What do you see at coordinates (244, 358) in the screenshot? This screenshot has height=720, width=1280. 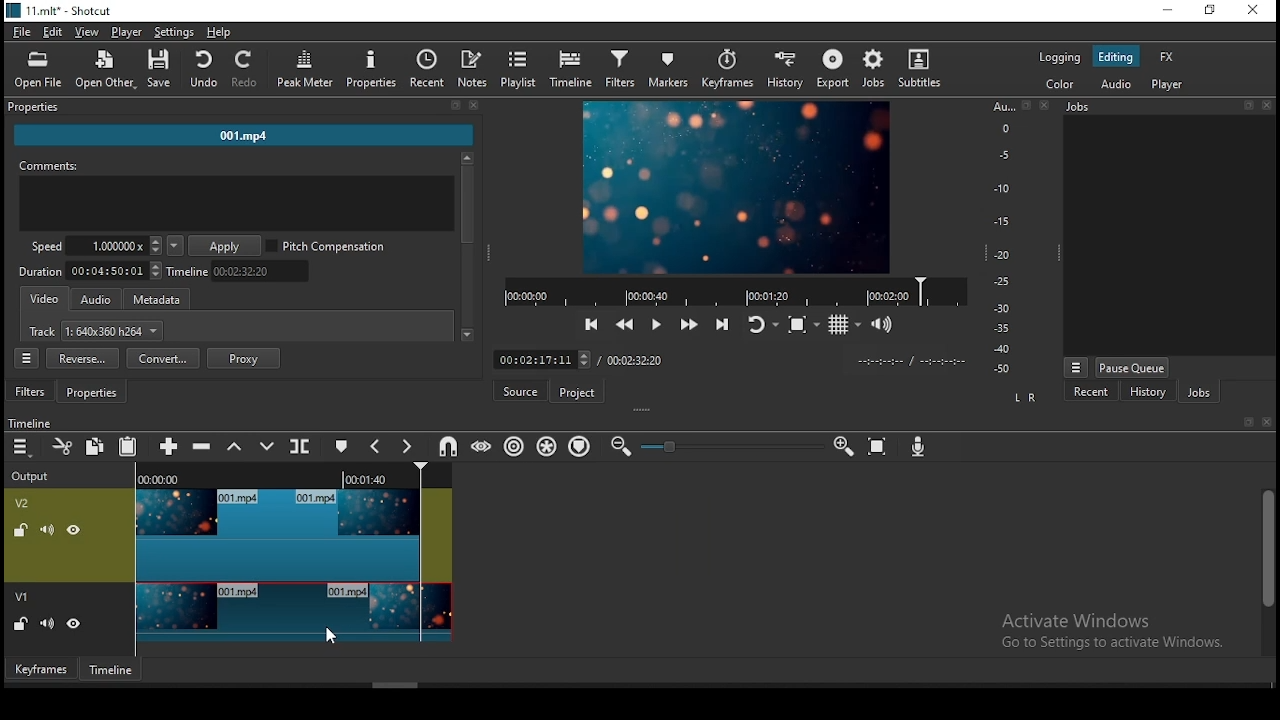 I see `proxy` at bounding box center [244, 358].